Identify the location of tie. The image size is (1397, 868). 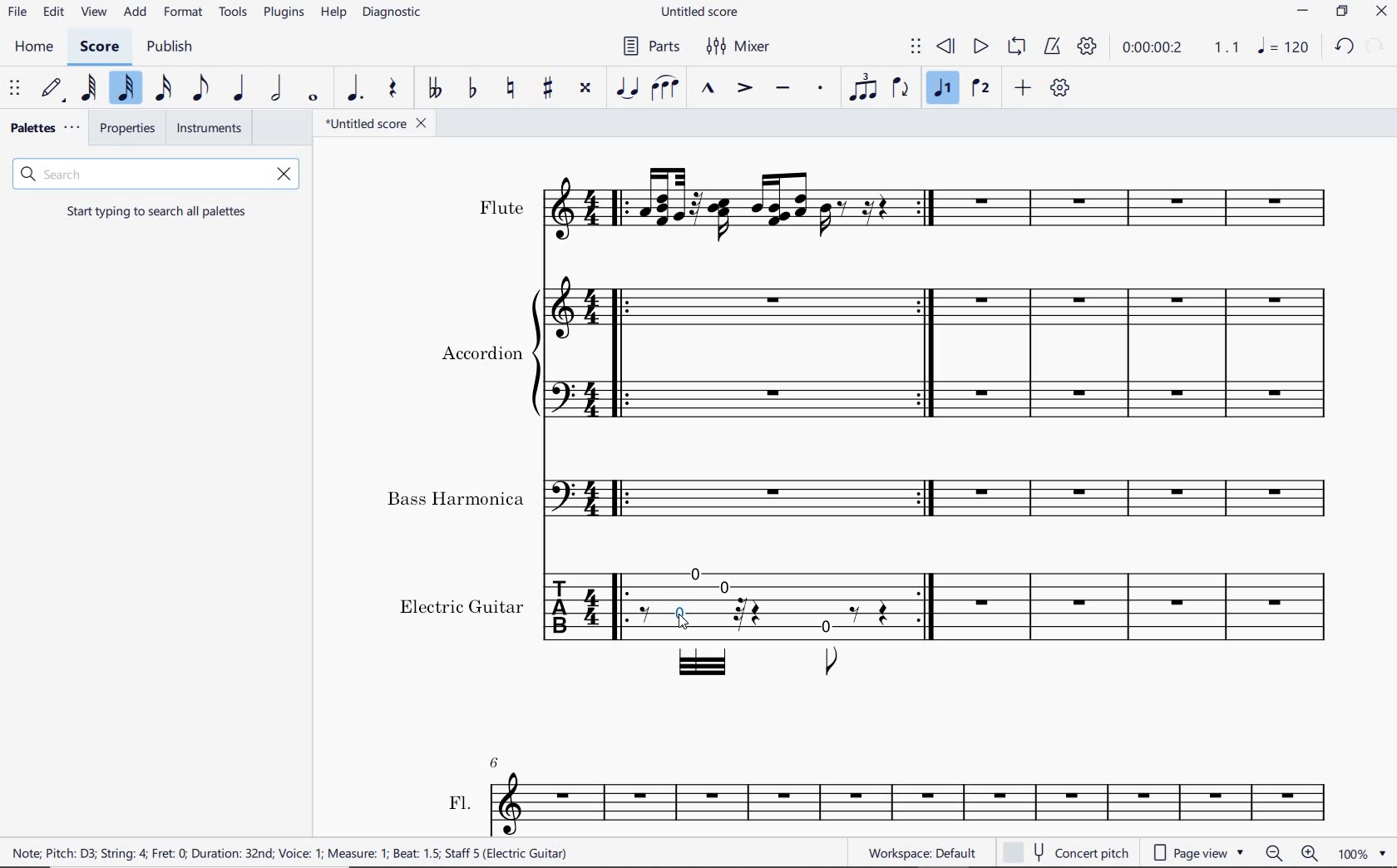
(629, 86).